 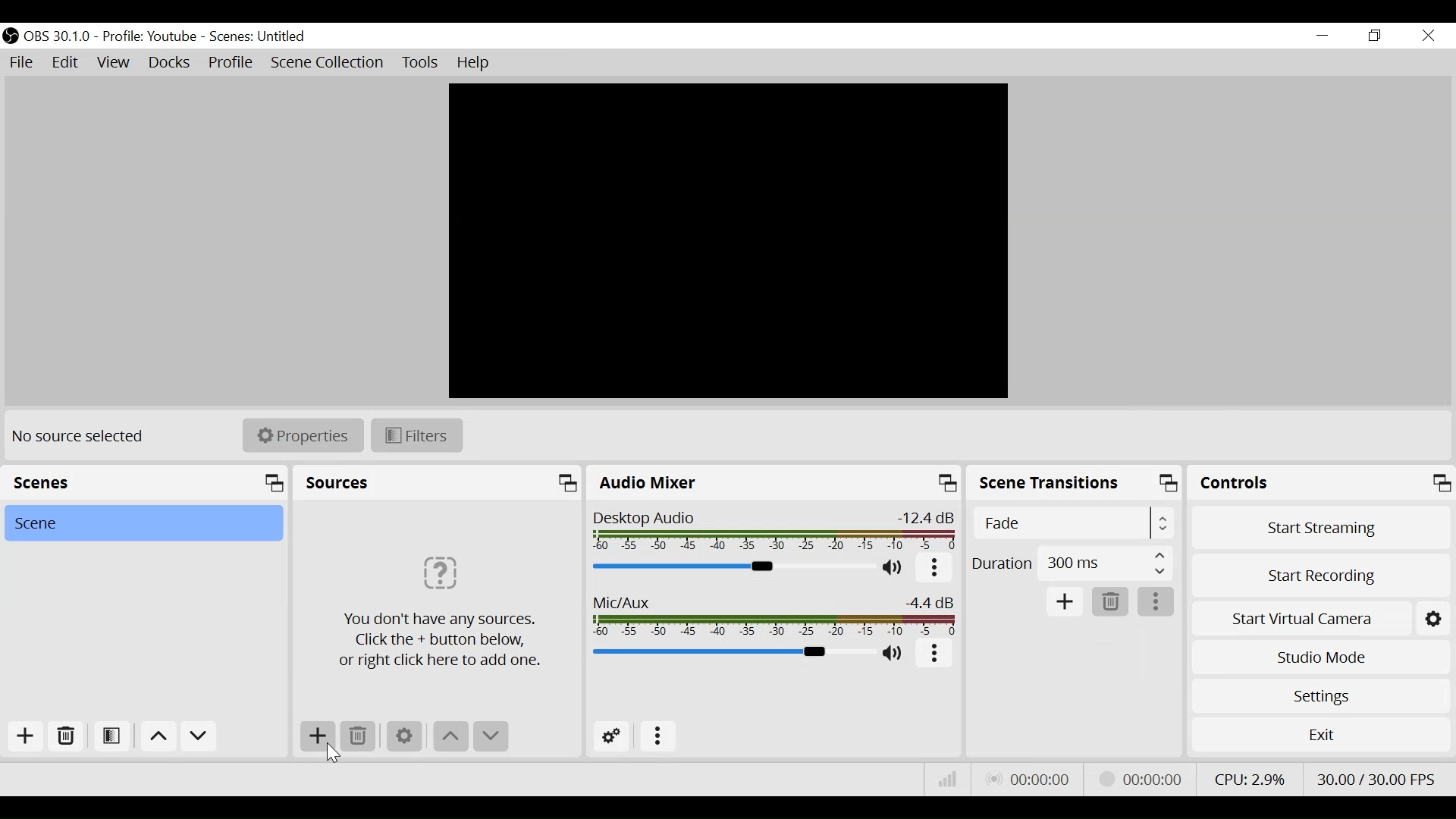 I want to click on File, so click(x=20, y=61).